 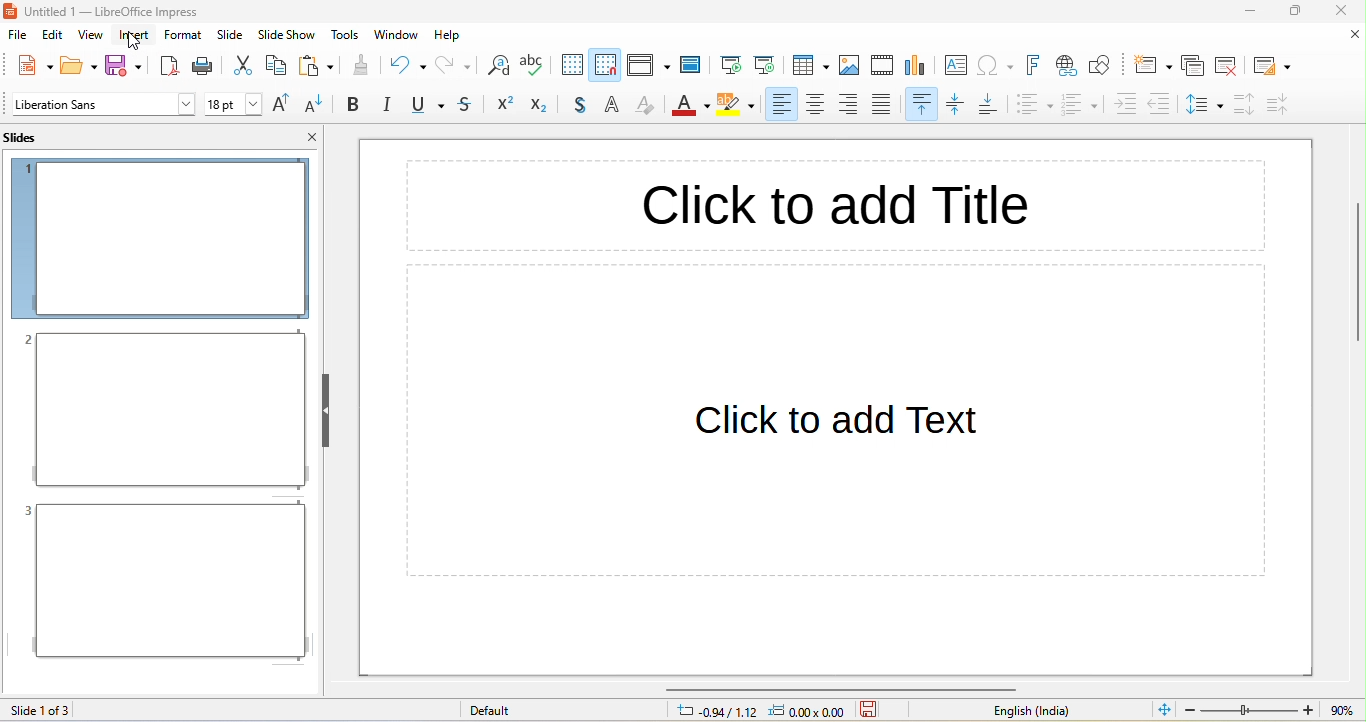 What do you see at coordinates (1080, 106) in the screenshot?
I see `ordered list` at bounding box center [1080, 106].